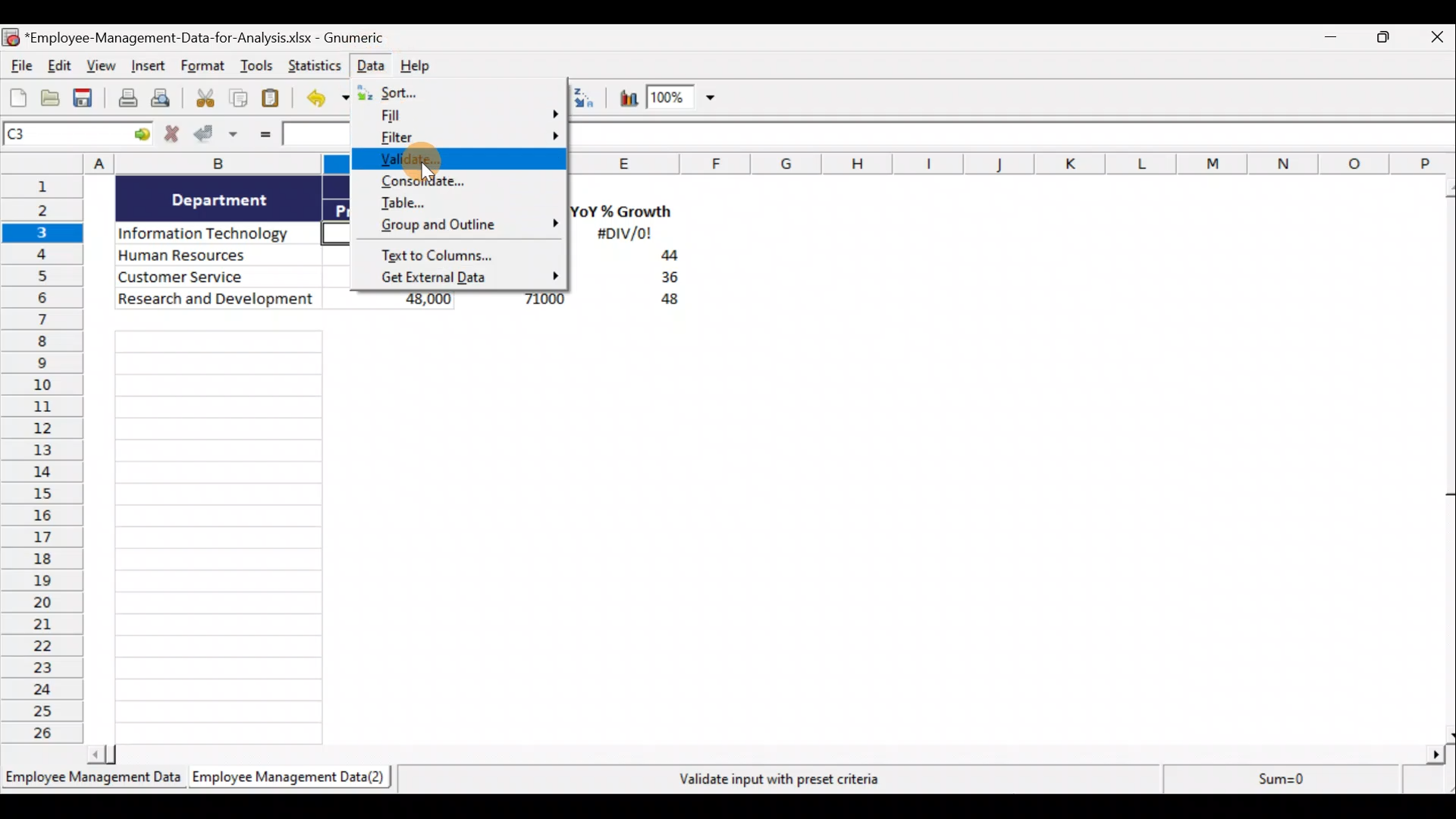 The width and height of the screenshot is (1456, 819). I want to click on Gnumeric logo, so click(10, 37).